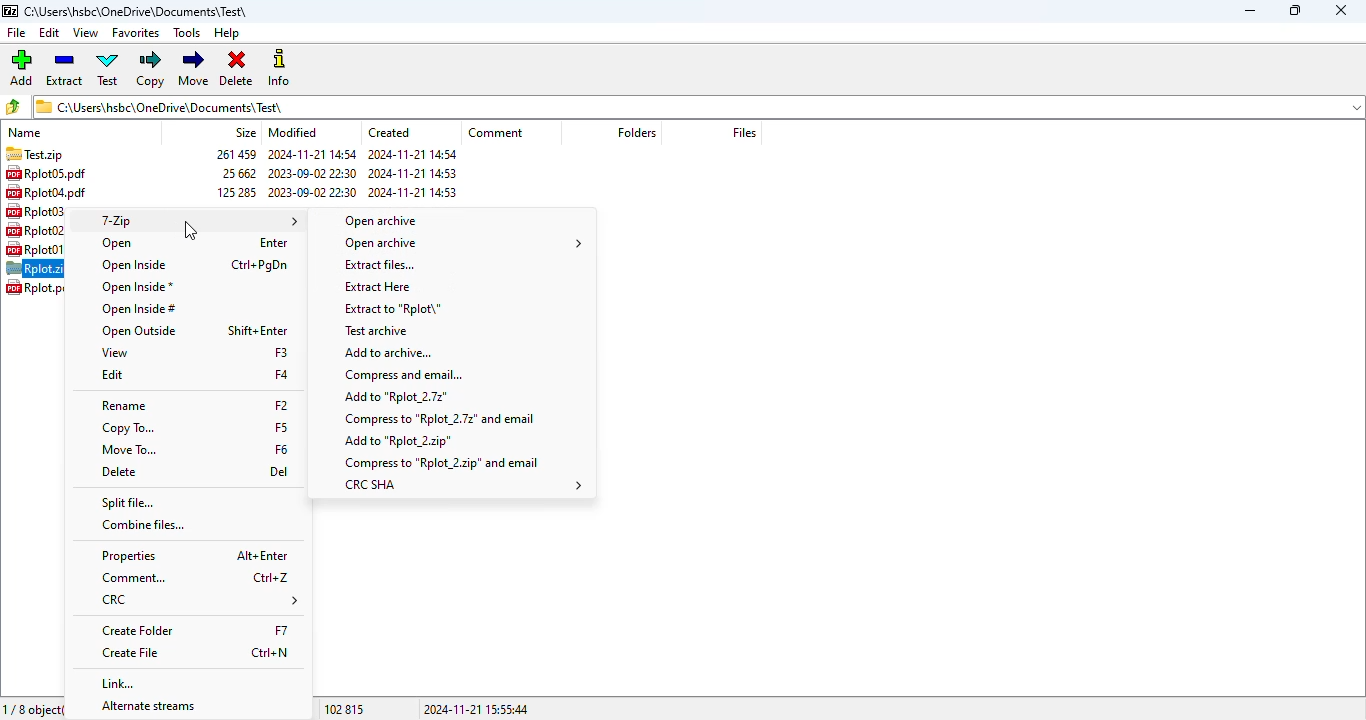 The height and width of the screenshot is (720, 1366). What do you see at coordinates (700, 107) in the screenshot?
I see `1 C:\Users\hsbc\OneDrive\Documents\Test\` at bounding box center [700, 107].